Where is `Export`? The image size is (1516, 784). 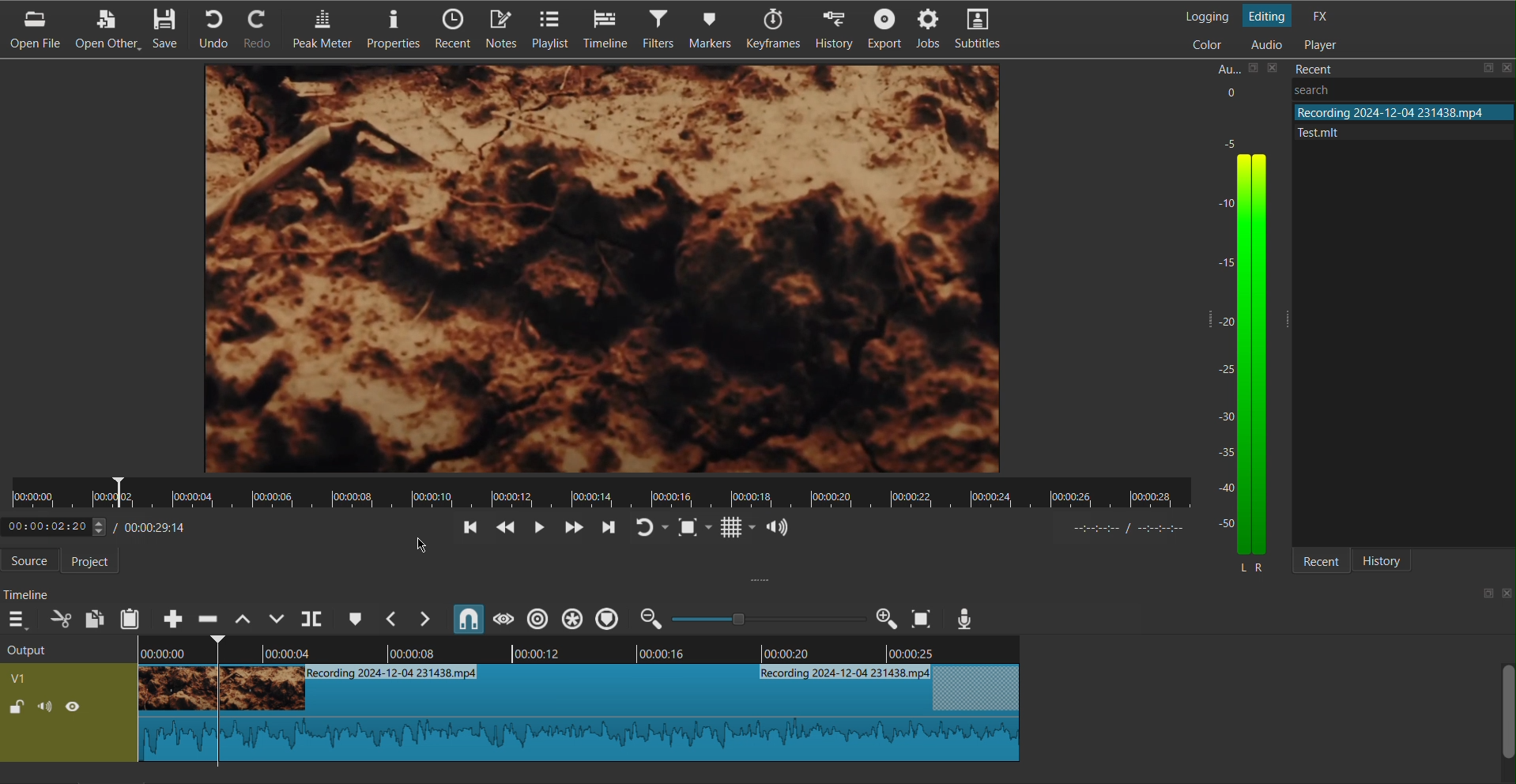 Export is located at coordinates (886, 32).